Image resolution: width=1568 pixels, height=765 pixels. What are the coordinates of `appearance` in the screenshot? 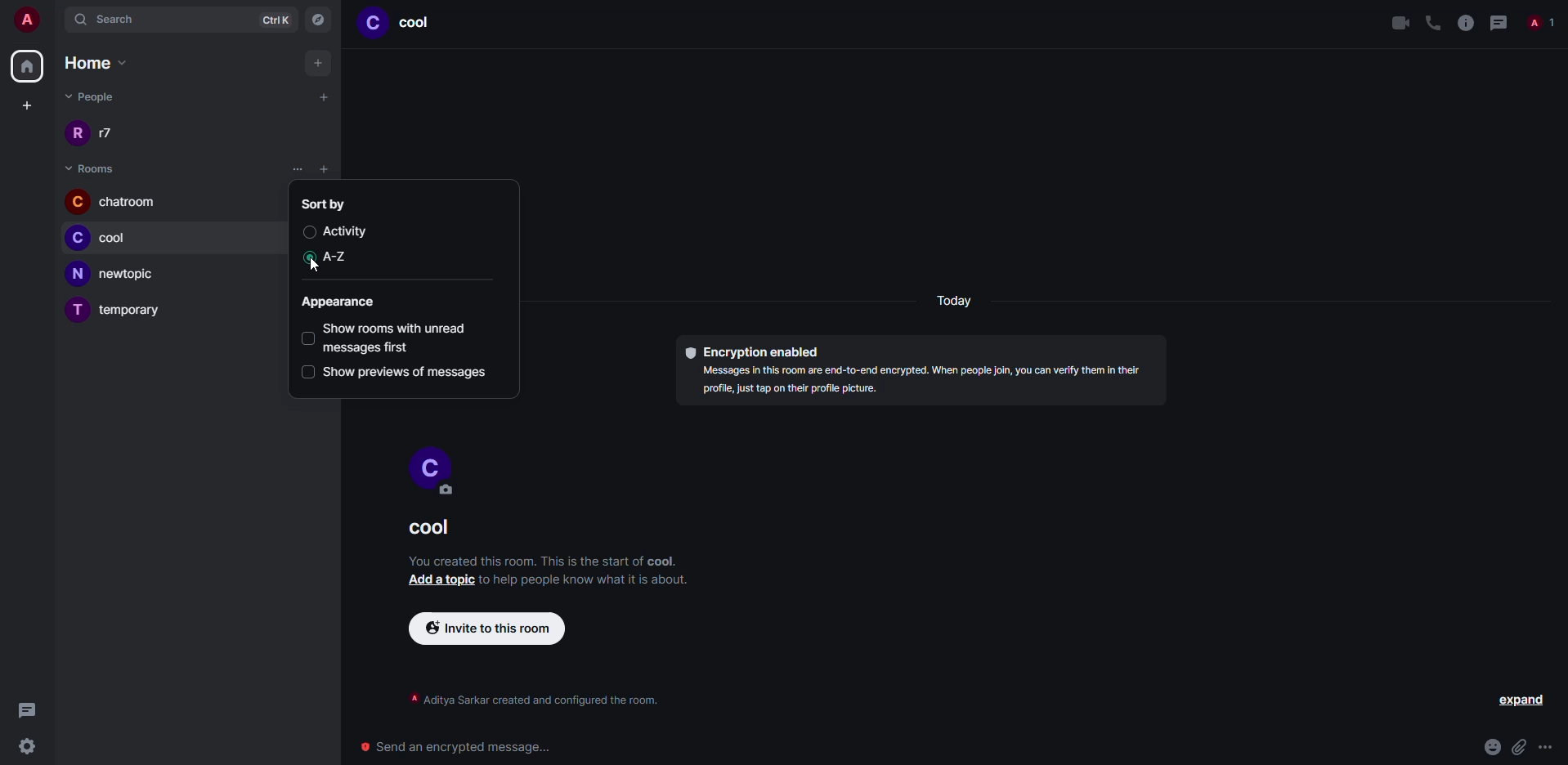 It's located at (337, 302).